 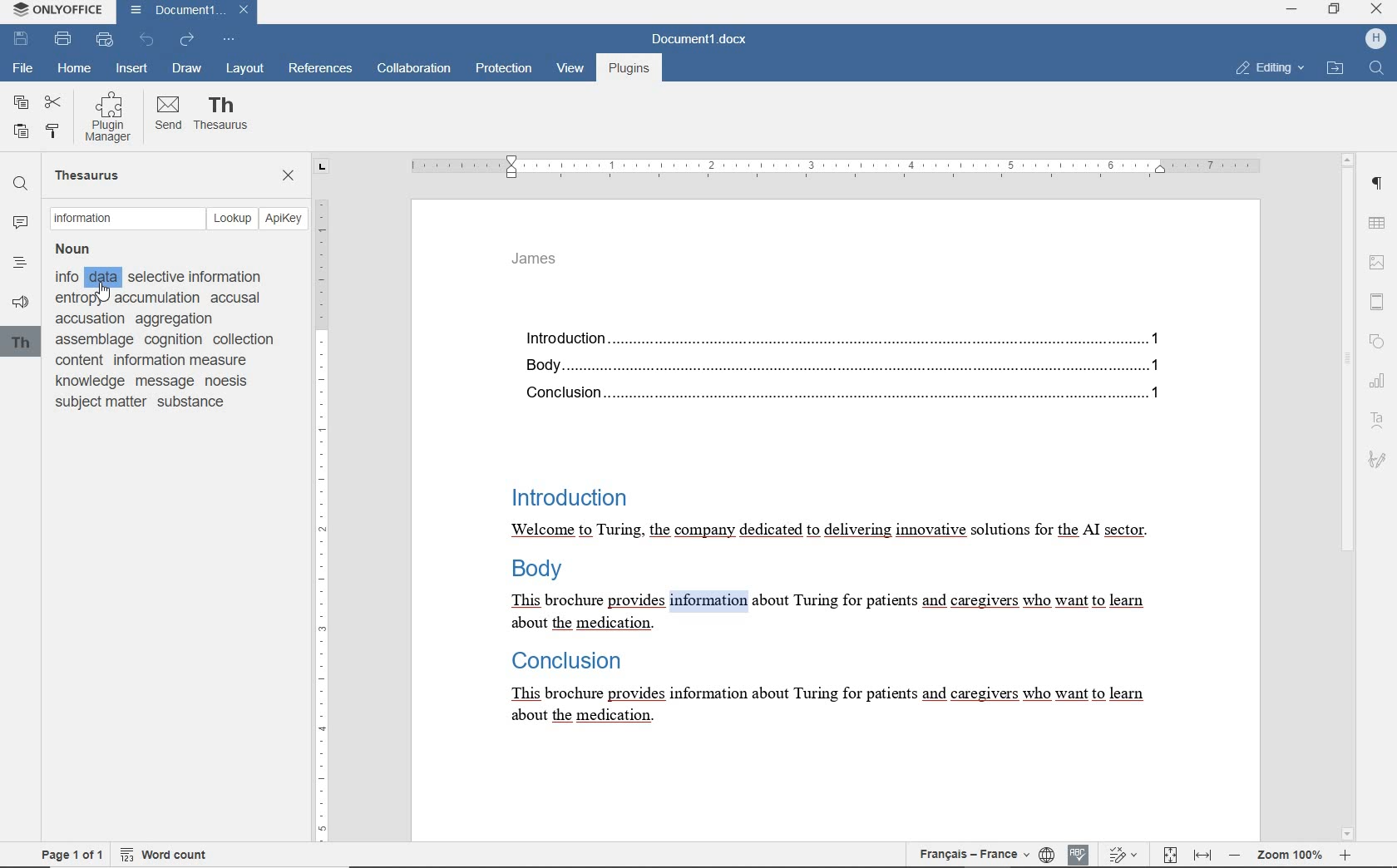 What do you see at coordinates (854, 367) in the screenshot?
I see `Body....1` at bounding box center [854, 367].